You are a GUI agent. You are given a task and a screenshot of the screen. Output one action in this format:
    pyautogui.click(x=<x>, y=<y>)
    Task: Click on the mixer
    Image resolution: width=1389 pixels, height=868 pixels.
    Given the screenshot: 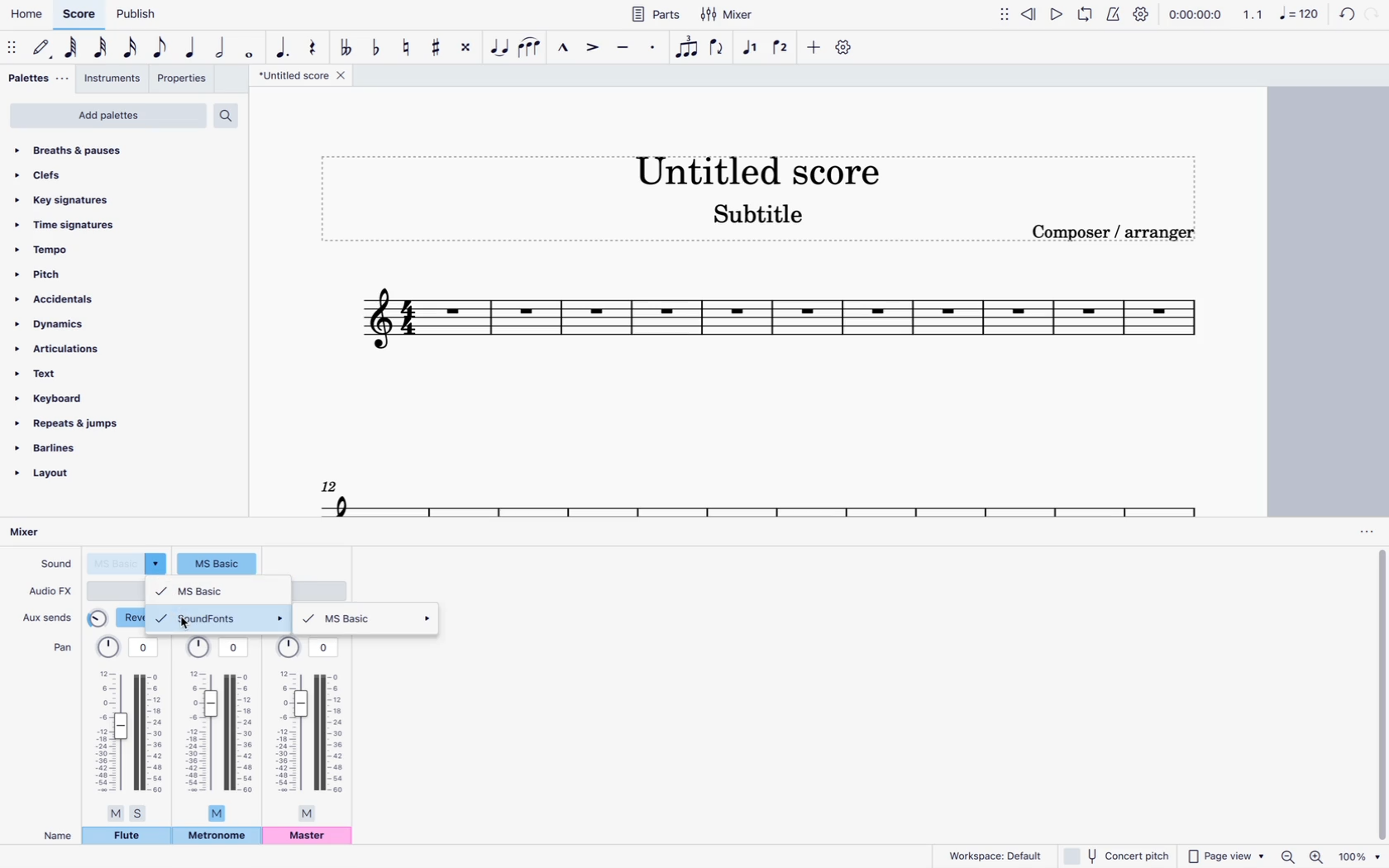 What is the action you would take?
    pyautogui.click(x=39, y=533)
    